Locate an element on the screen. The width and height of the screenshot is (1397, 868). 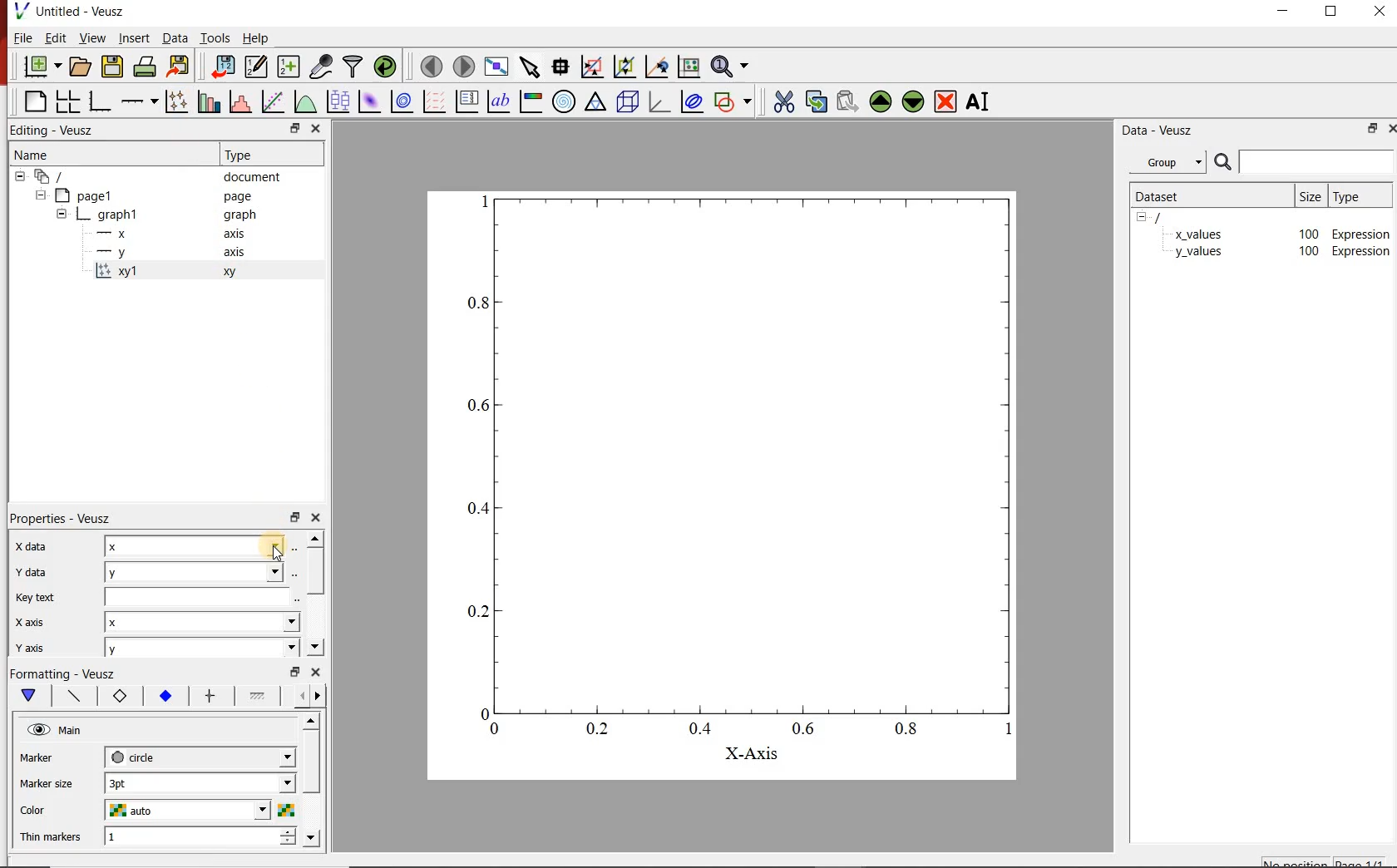
input key text is located at coordinates (197, 596).